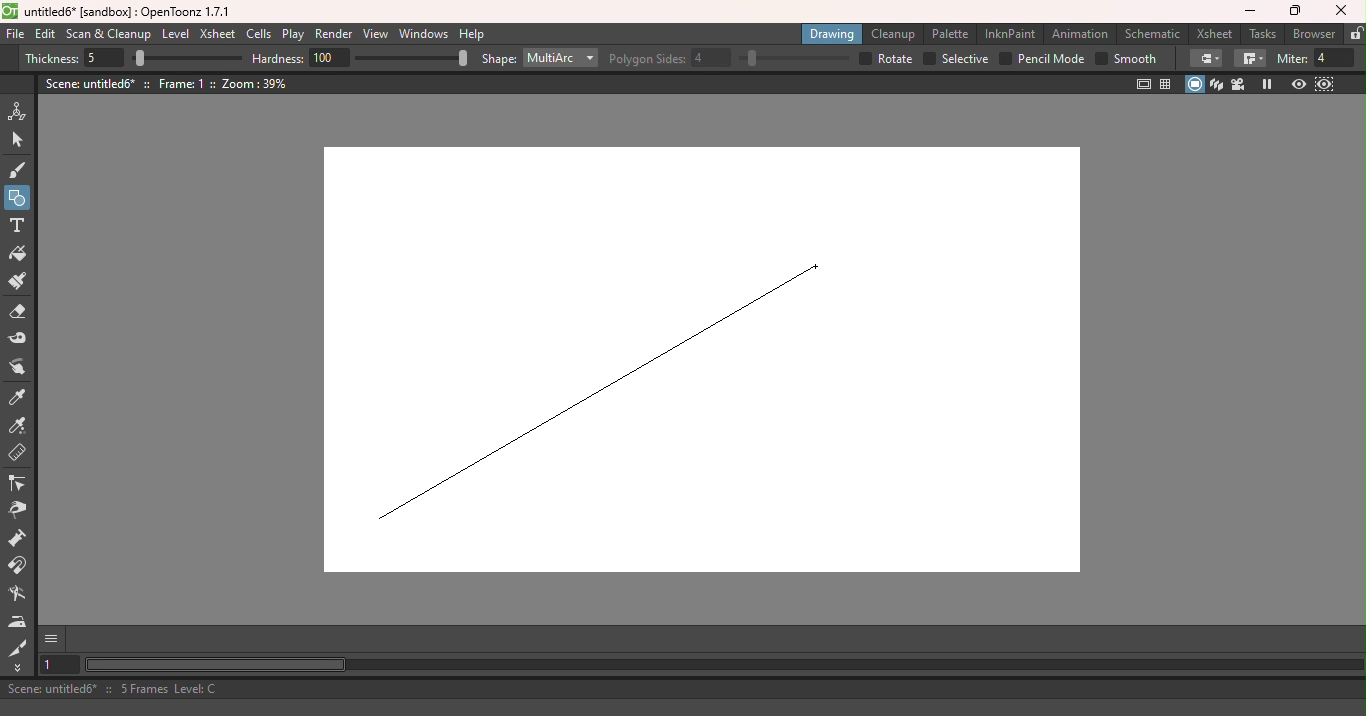 The width and height of the screenshot is (1366, 716). I want to click on View, so click(376, 34).